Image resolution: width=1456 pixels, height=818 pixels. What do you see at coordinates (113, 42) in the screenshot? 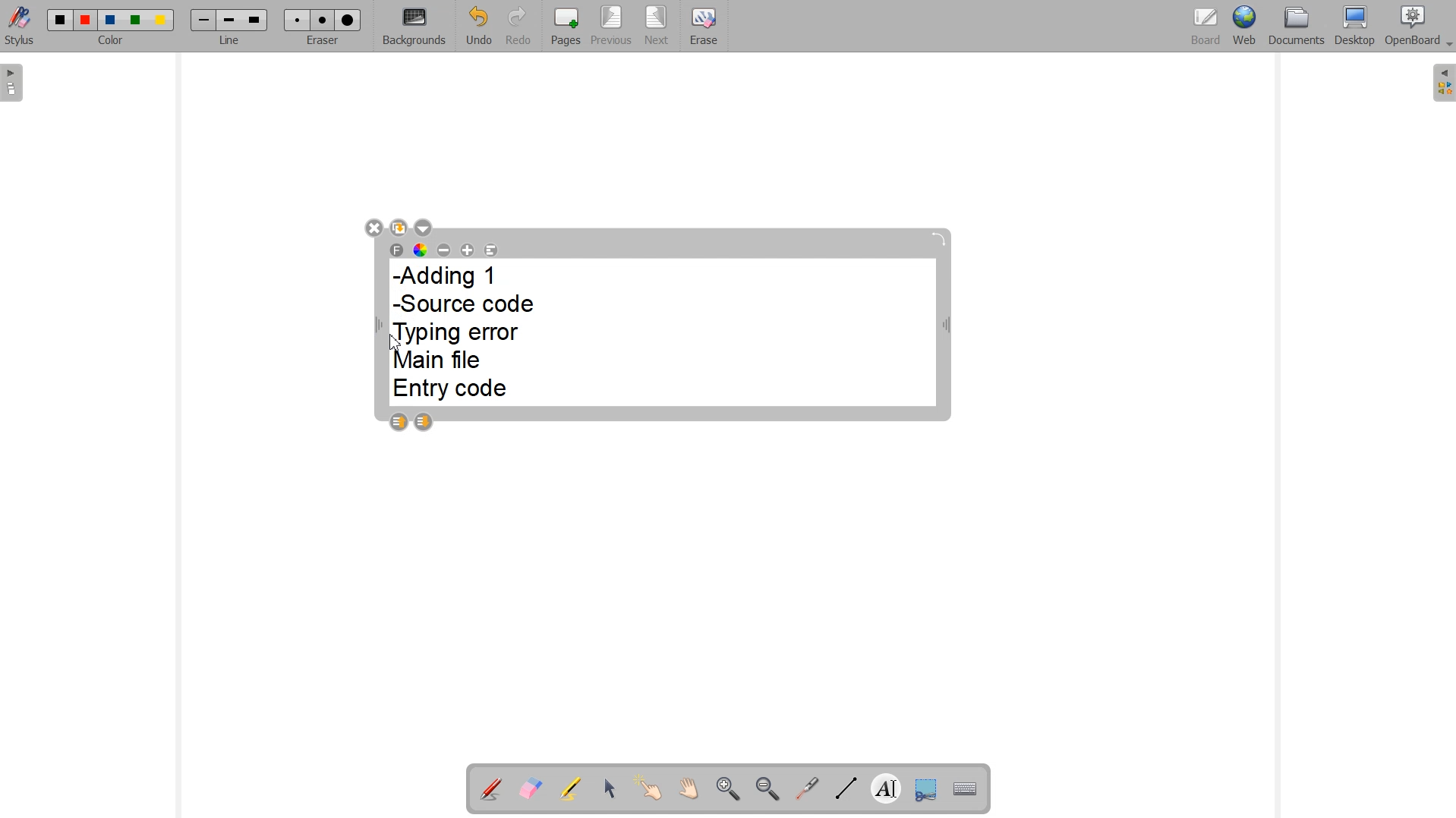
I see `Color` at bounding box center [113, 42].